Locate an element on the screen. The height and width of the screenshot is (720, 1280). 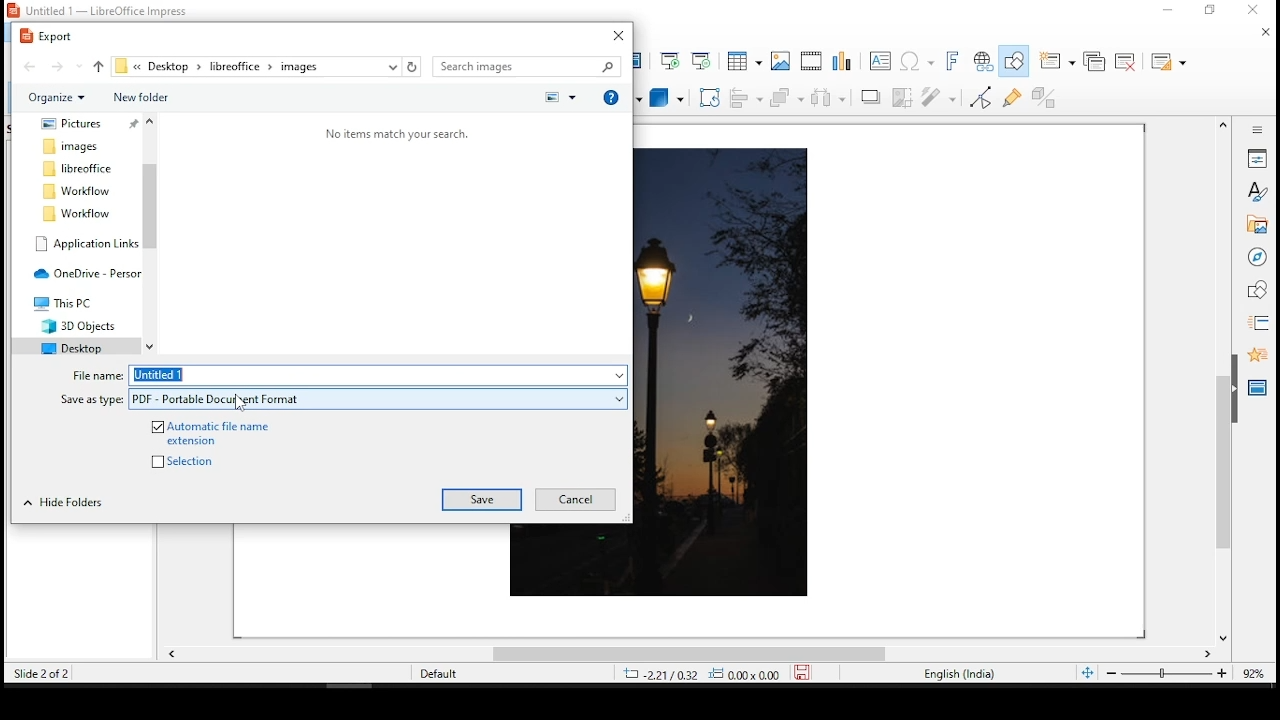
align objects is located at coordinates (746, 99).